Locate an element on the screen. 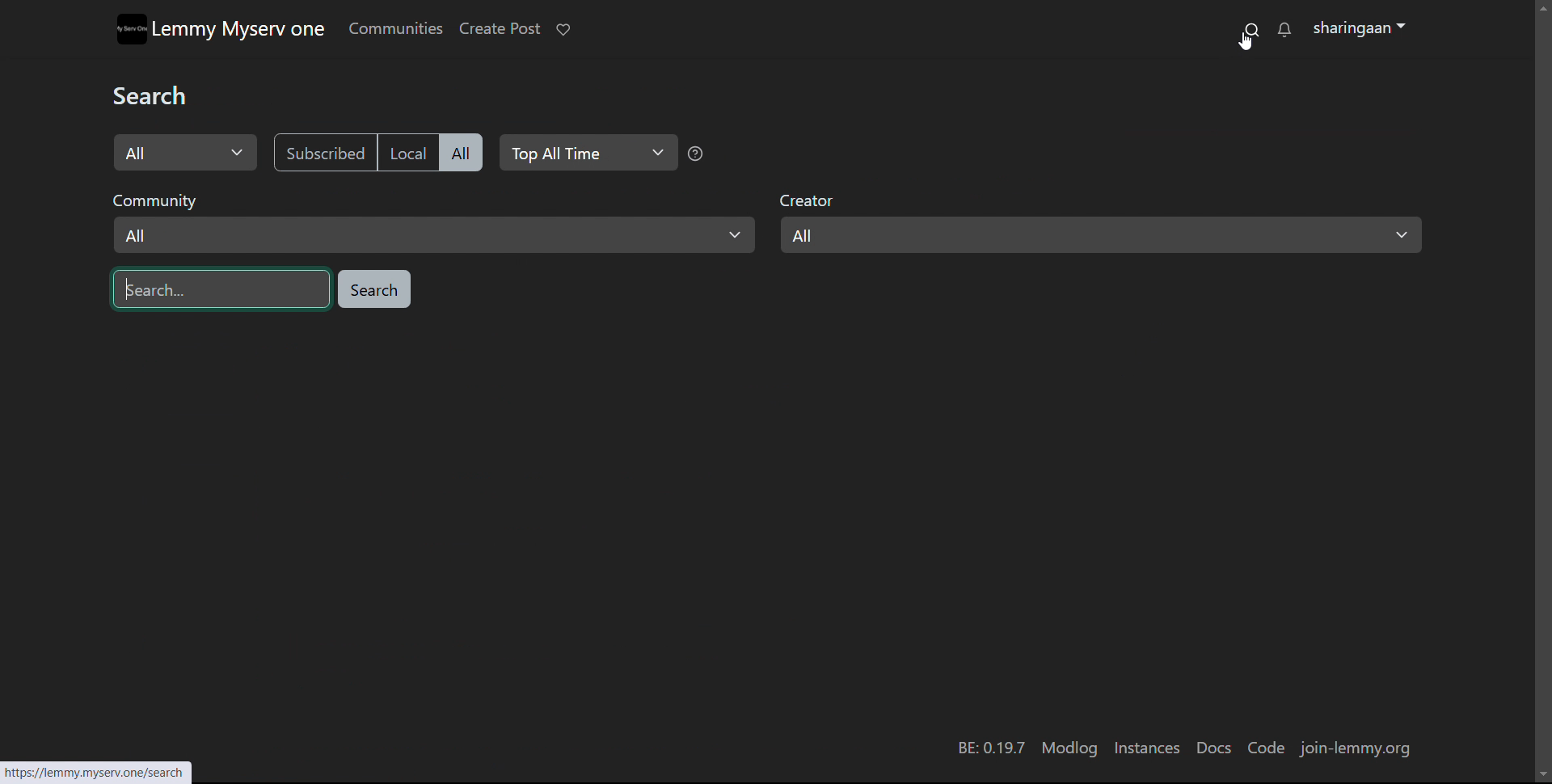 The width and height of the screenshot is (1552, 784). donate to lemmy is located at coordinates (562, 30).